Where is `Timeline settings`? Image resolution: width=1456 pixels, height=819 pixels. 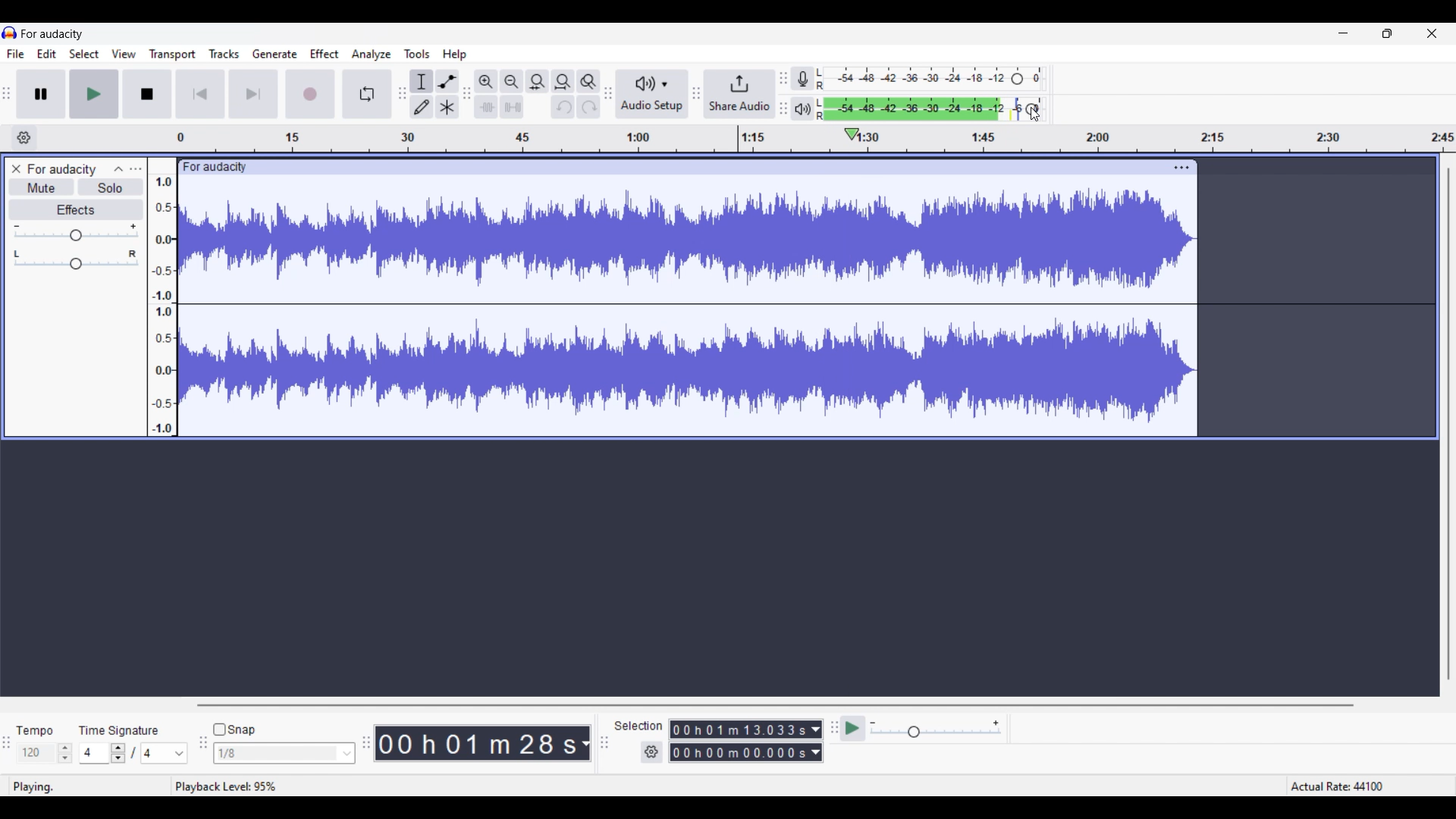 Timeline settings is located at coordinates (24, 137).